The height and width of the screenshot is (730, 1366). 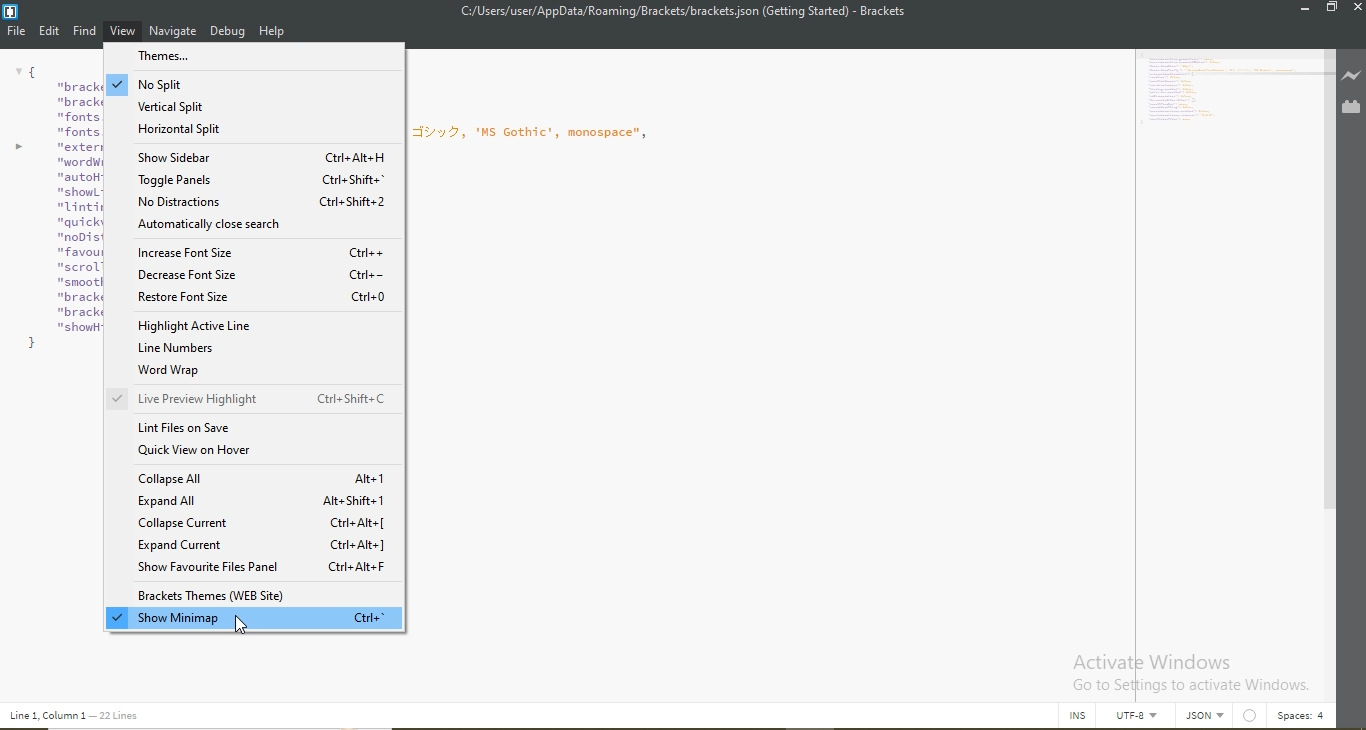 What do you see at coordinates (263, 401) in the screenshot?
I see `live preview highlight` at bounding box center [263, 401].